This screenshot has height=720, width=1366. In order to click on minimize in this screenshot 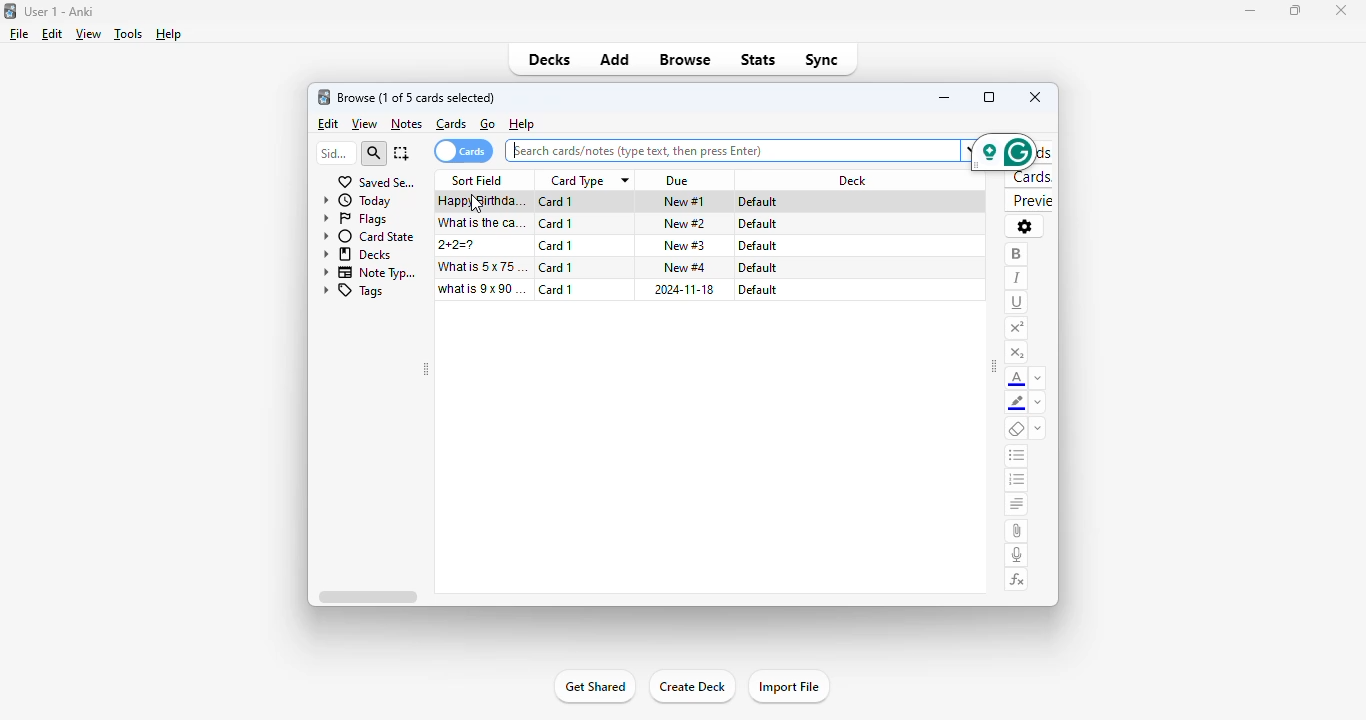, I will do `click(1249, 11)`.